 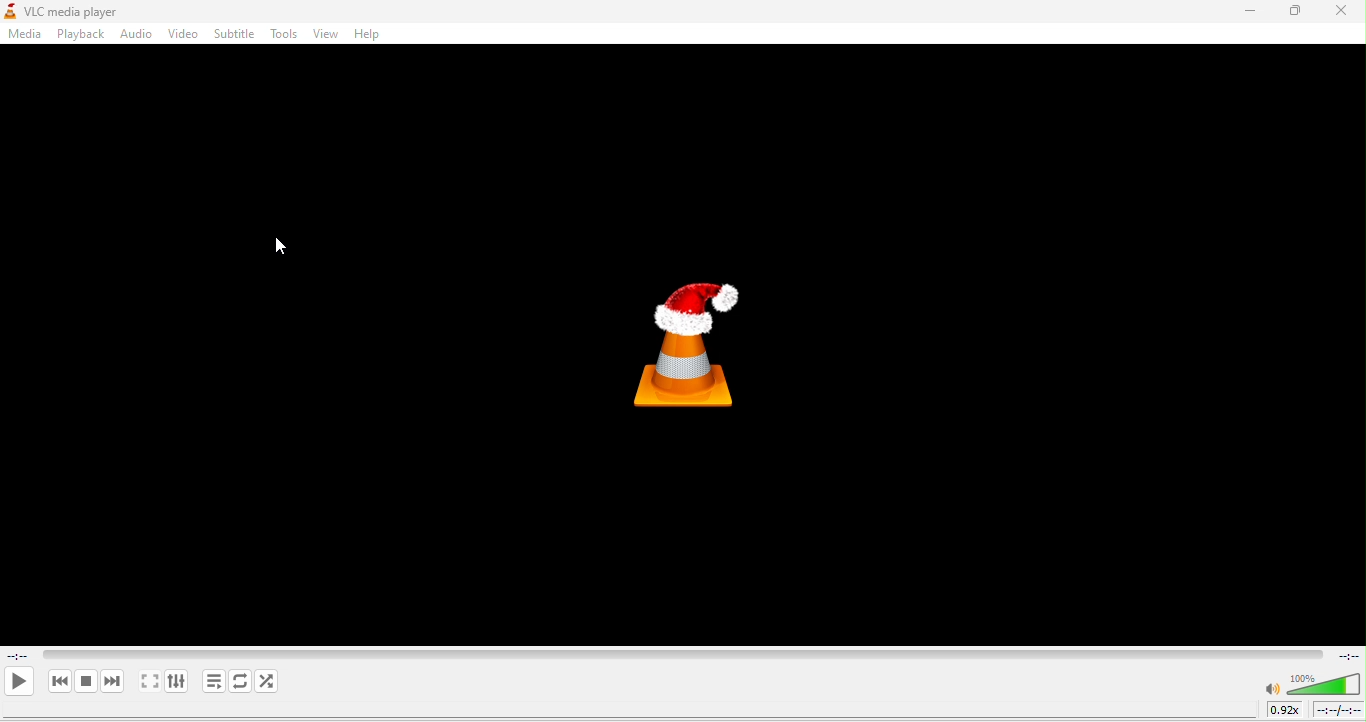 I want to click on stop playback, so click(x=87, y=681).